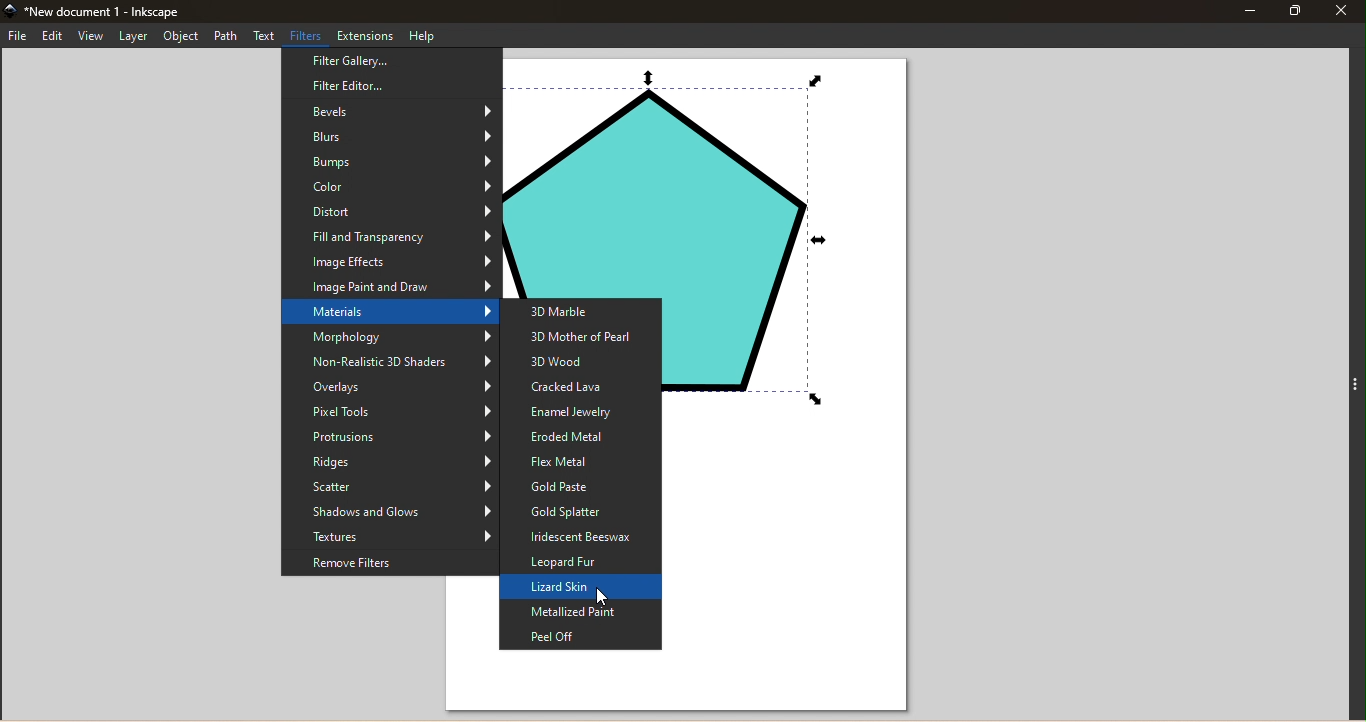 Image resolution: width=1366 pixels, height=722 pixels. I want to click on Lizard Skin, so click(581, 588).